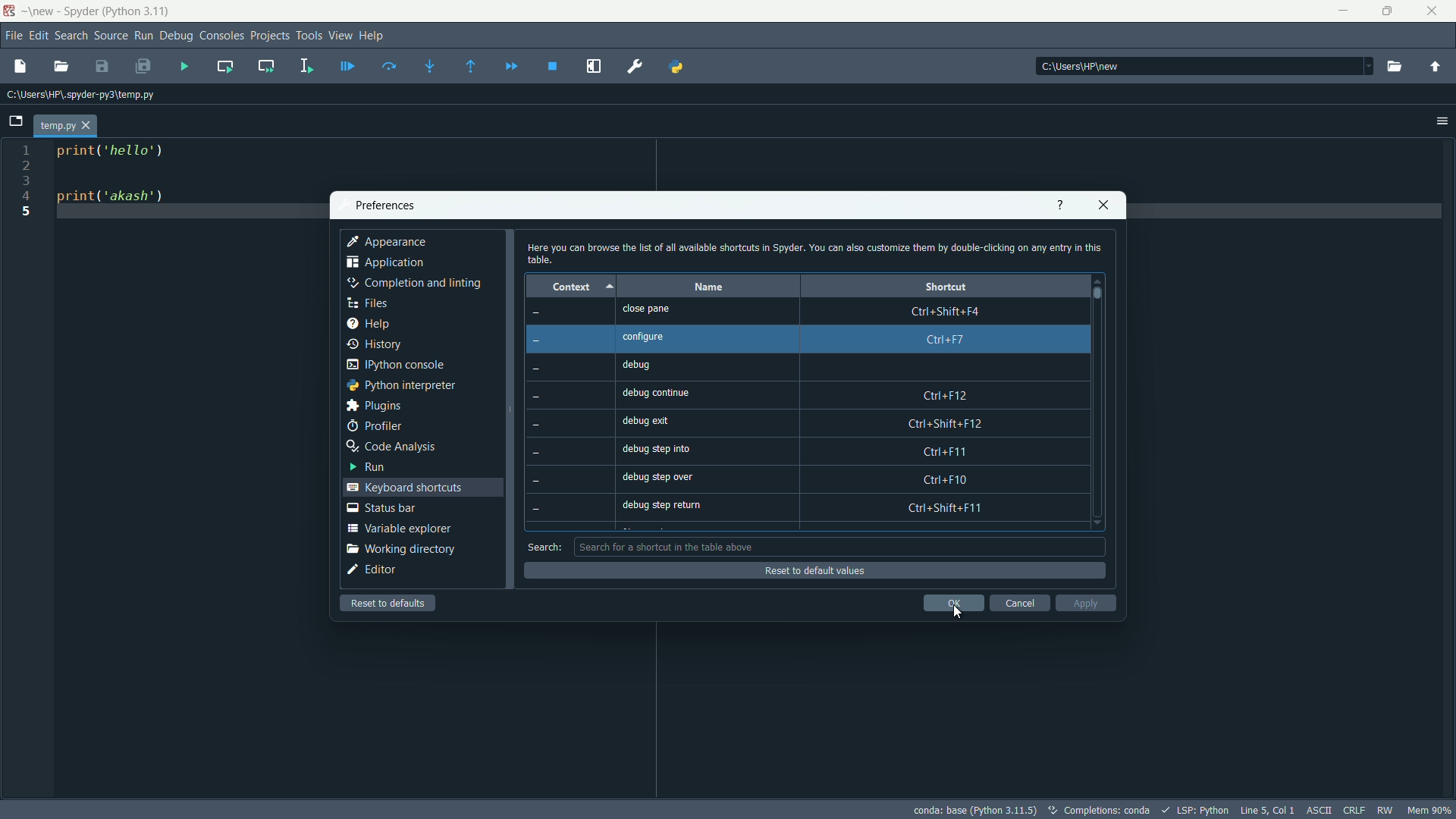  I want to click on preferences, so click(381, 206).